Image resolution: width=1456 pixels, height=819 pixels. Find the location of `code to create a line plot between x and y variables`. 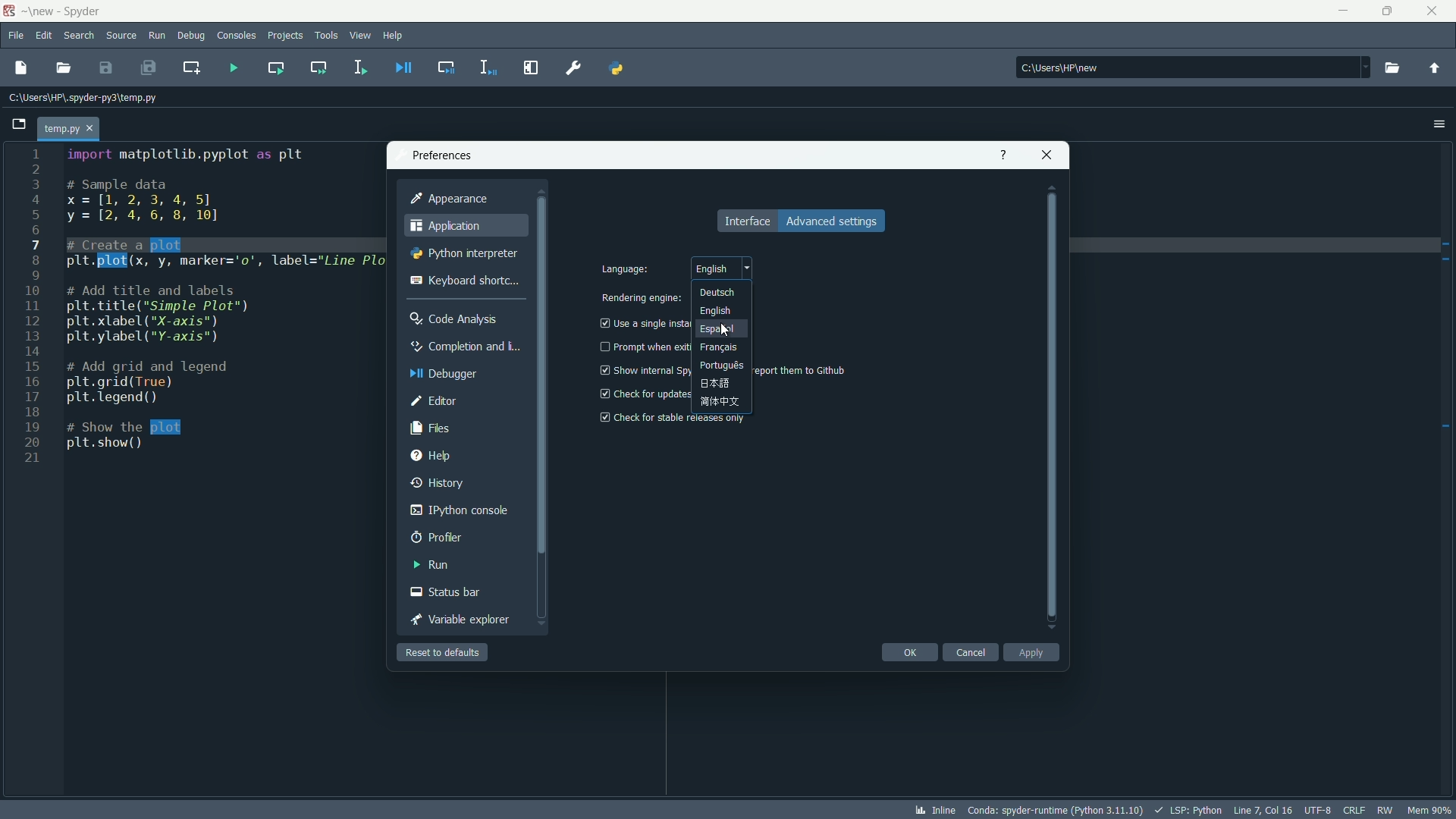

code to create a line plot between x and y variables is located at coordinates (208, 301).